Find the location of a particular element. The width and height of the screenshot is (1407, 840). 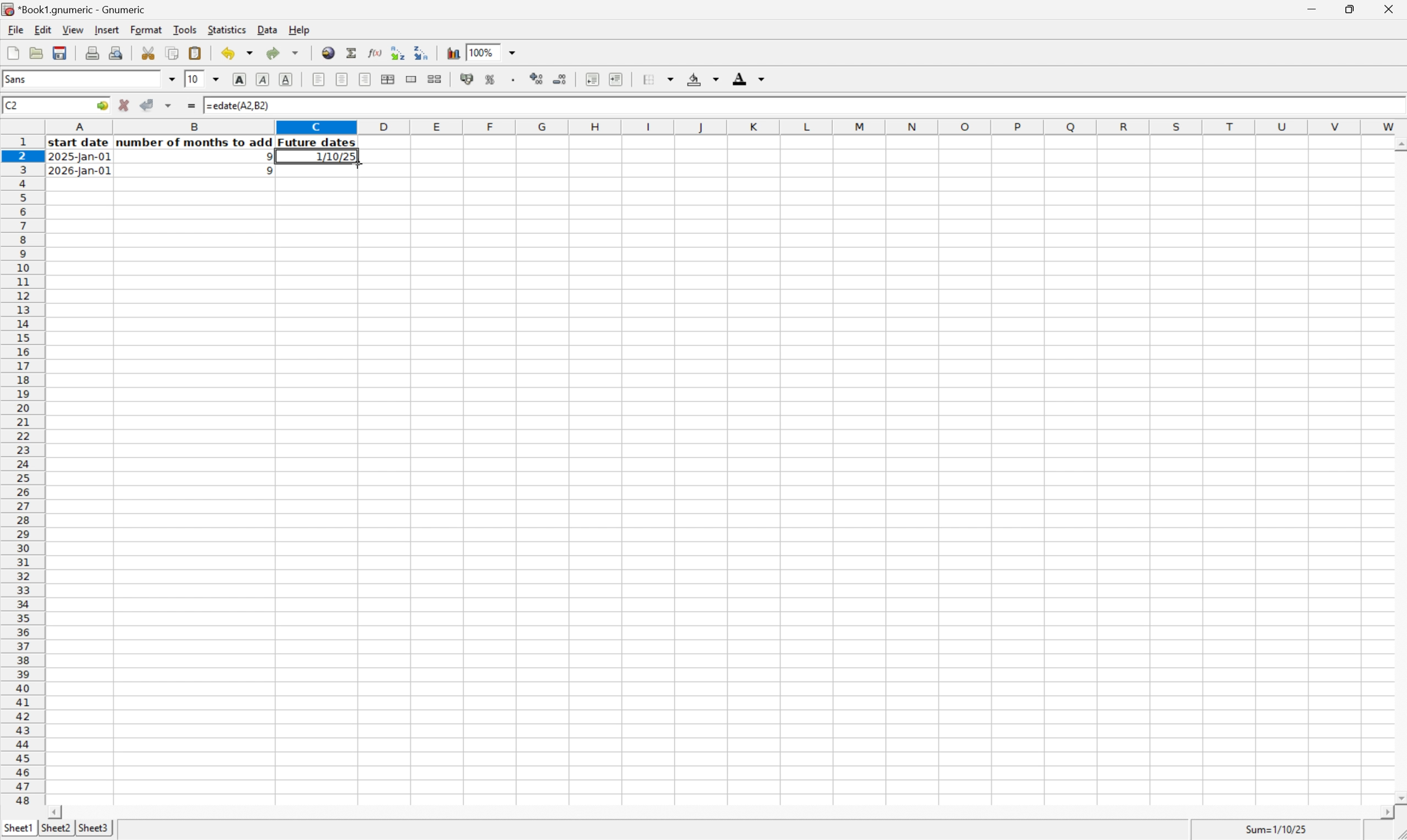

Sheet3 is located at coordinates (95, 829).